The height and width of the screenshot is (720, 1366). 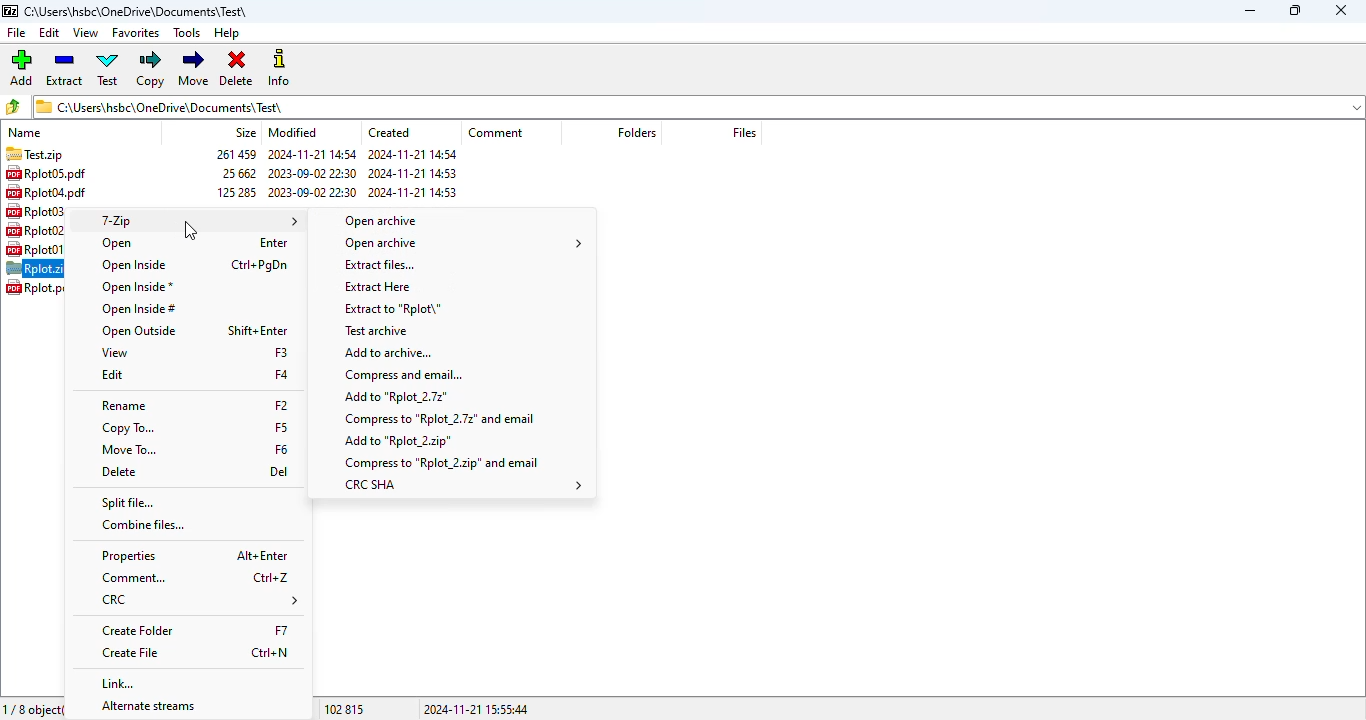 What do you see at coordinates (140, 310) in the screenshot?
I see `open inside#` at bounding box center [140, 310].